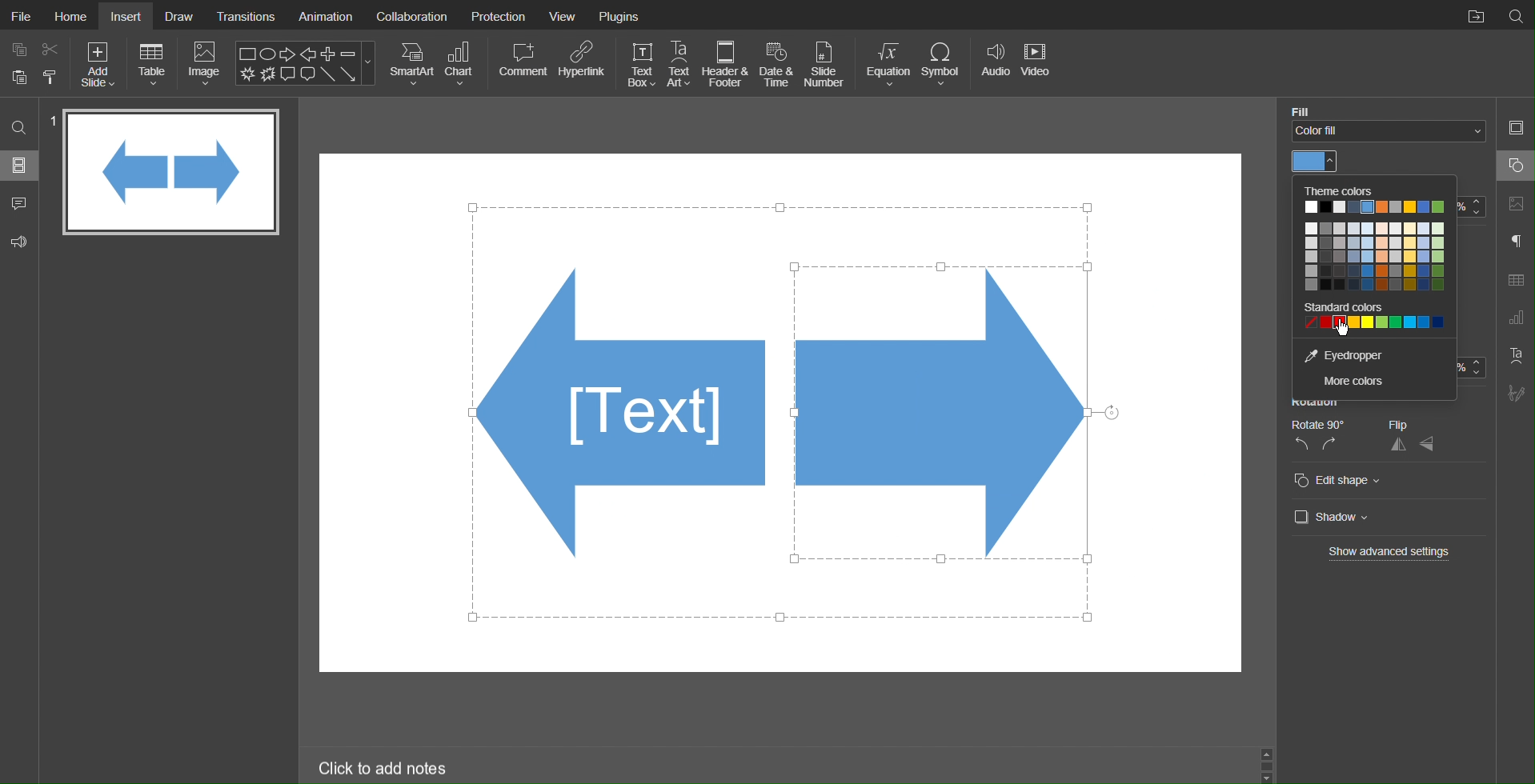 The image size is (1535, 784). What do you see at coordinates (680, 63) in the screenshot?
I see `Text Art` at bounding box center [680, 63].